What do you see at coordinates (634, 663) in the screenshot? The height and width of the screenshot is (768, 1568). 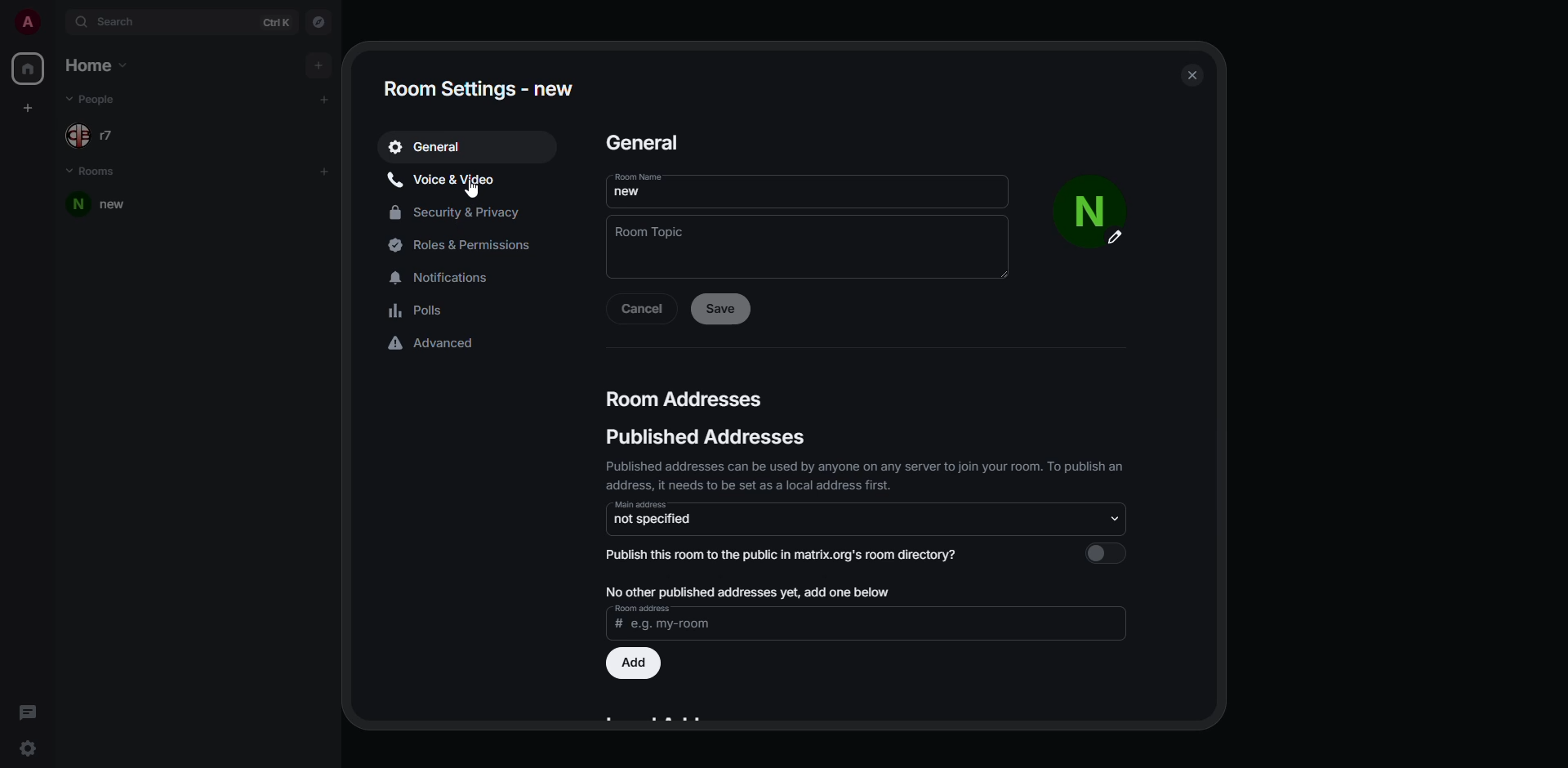 I see `add` at bounding box center [634, 663].